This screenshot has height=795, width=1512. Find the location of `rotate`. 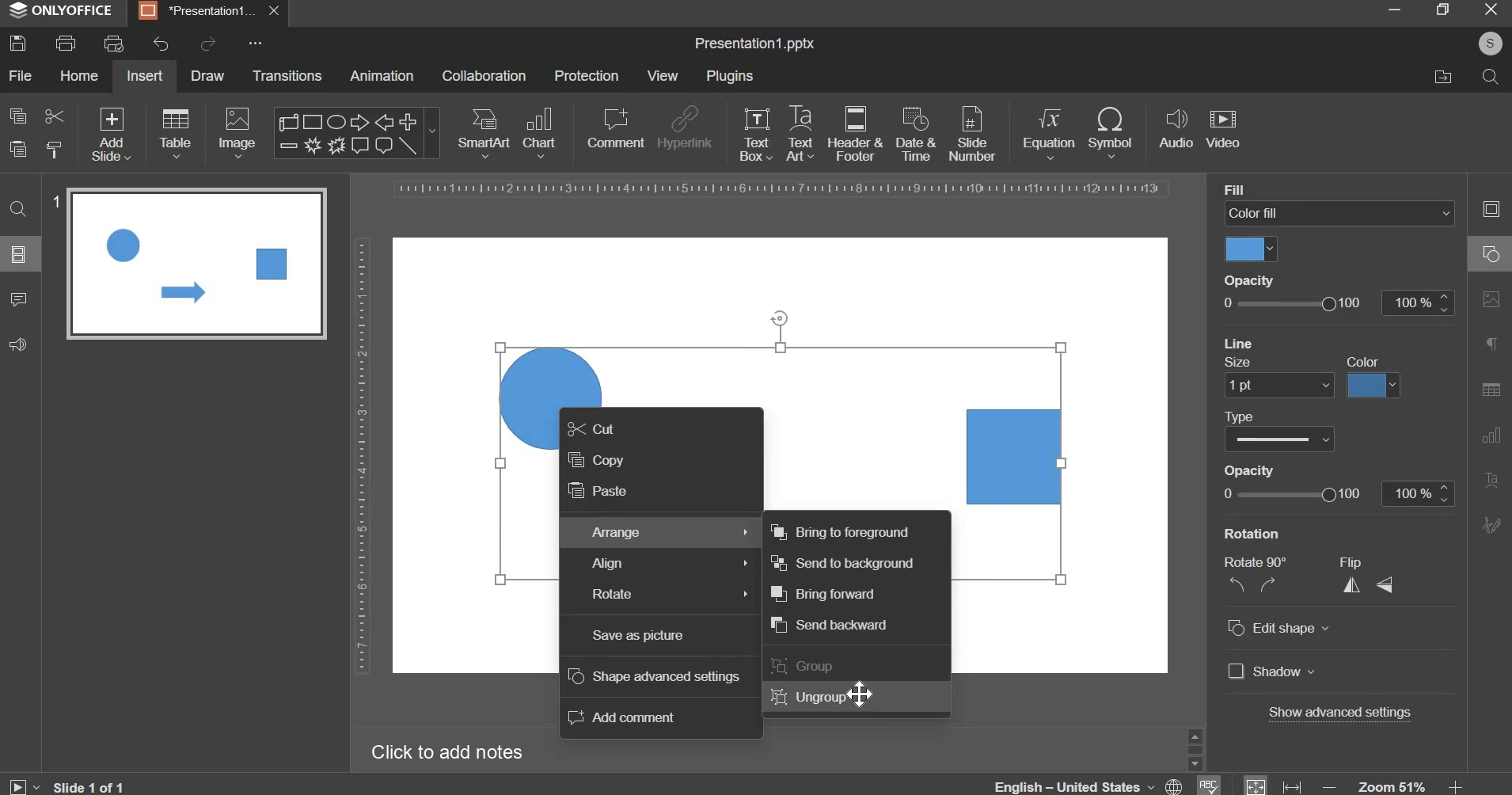

rotate is located at coordinates (781, 318).